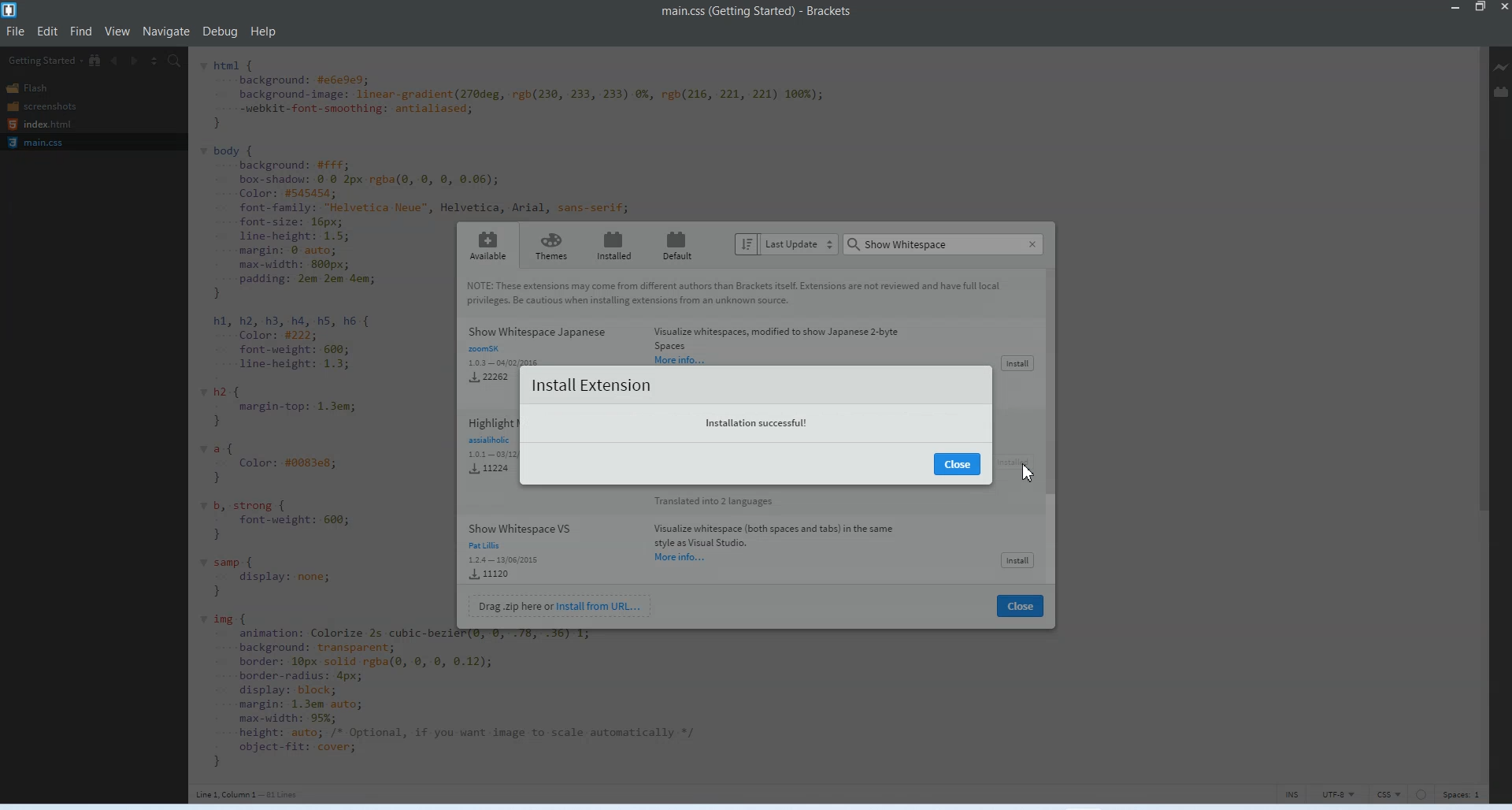  I want to click on Last Update, so click(786, 244).